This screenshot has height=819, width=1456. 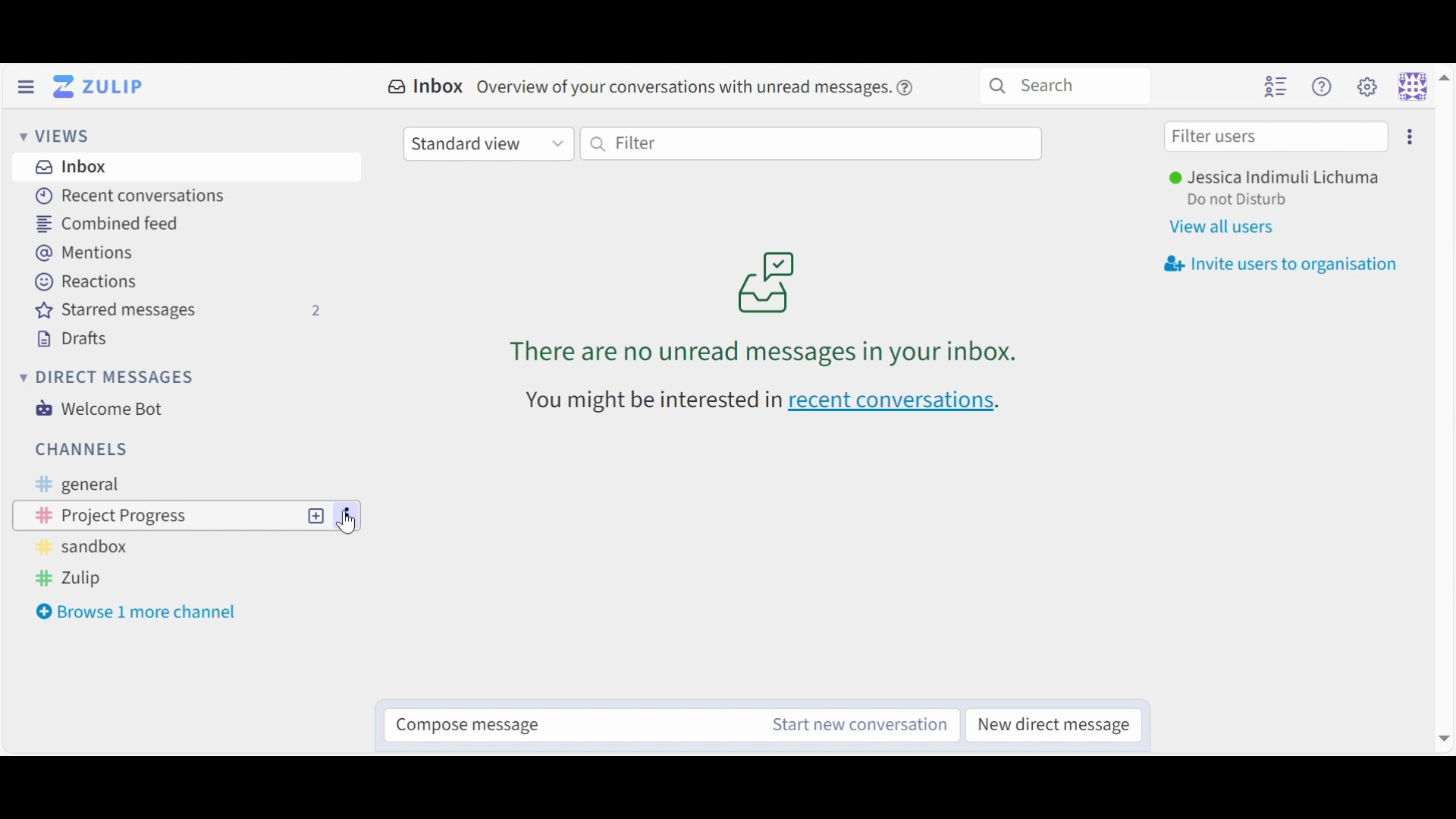 What do you see at coordinates (107, 515) in the screenshot?
I see `# Project Progress` at bounding box center [107, 515].